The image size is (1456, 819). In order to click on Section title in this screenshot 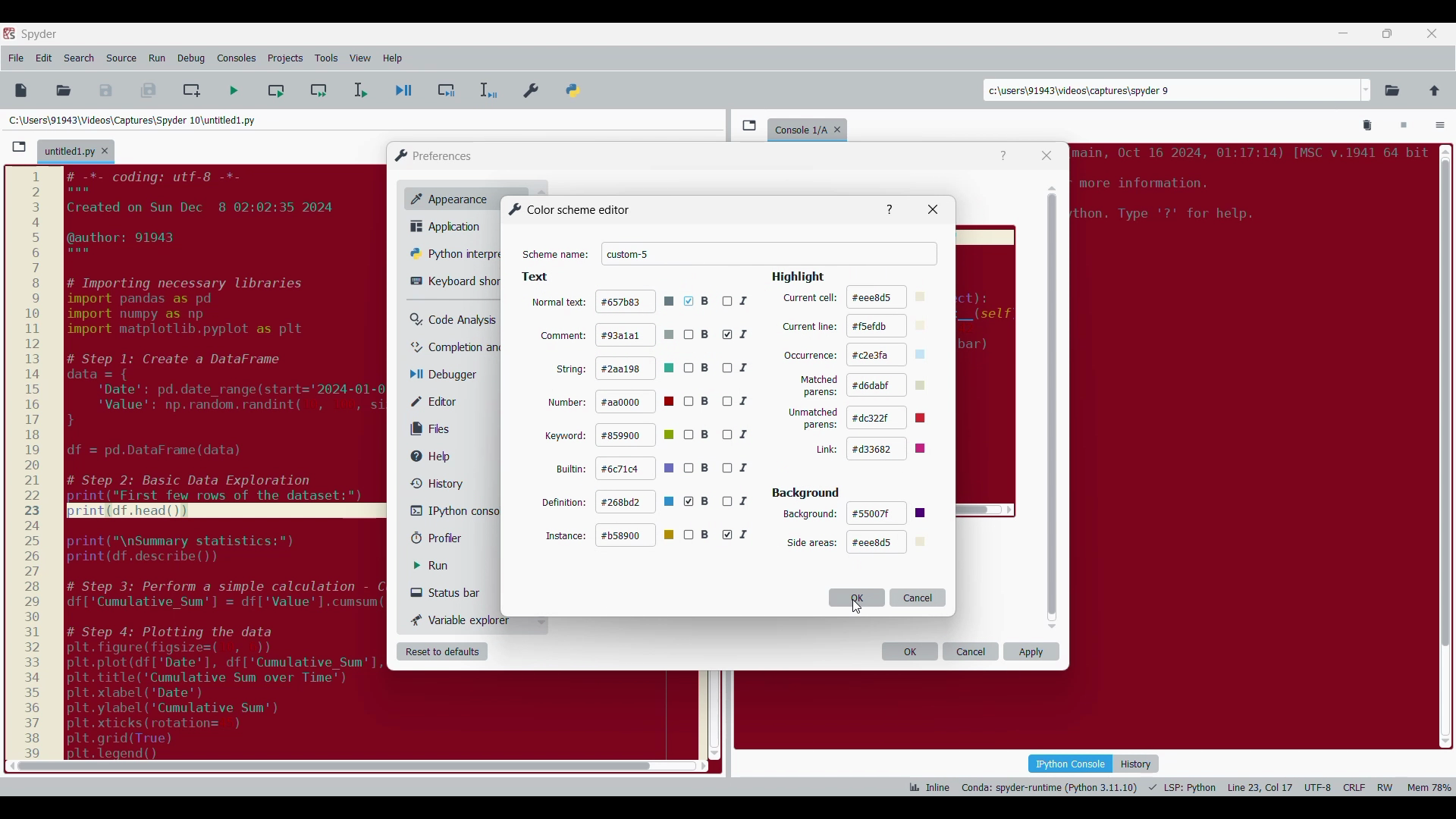, I will do `click(806, 493)`.